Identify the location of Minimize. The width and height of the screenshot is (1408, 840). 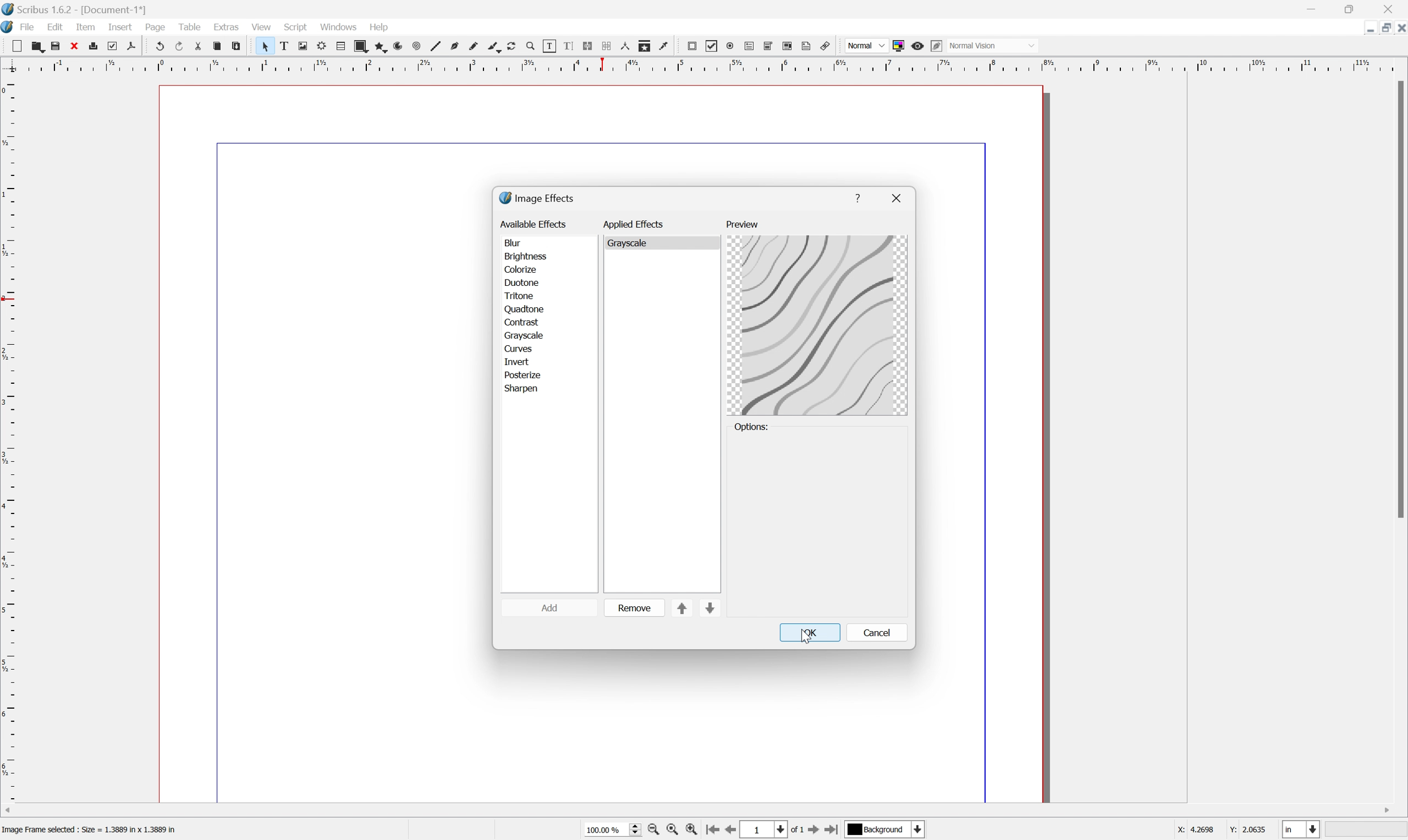
(1360, 28).